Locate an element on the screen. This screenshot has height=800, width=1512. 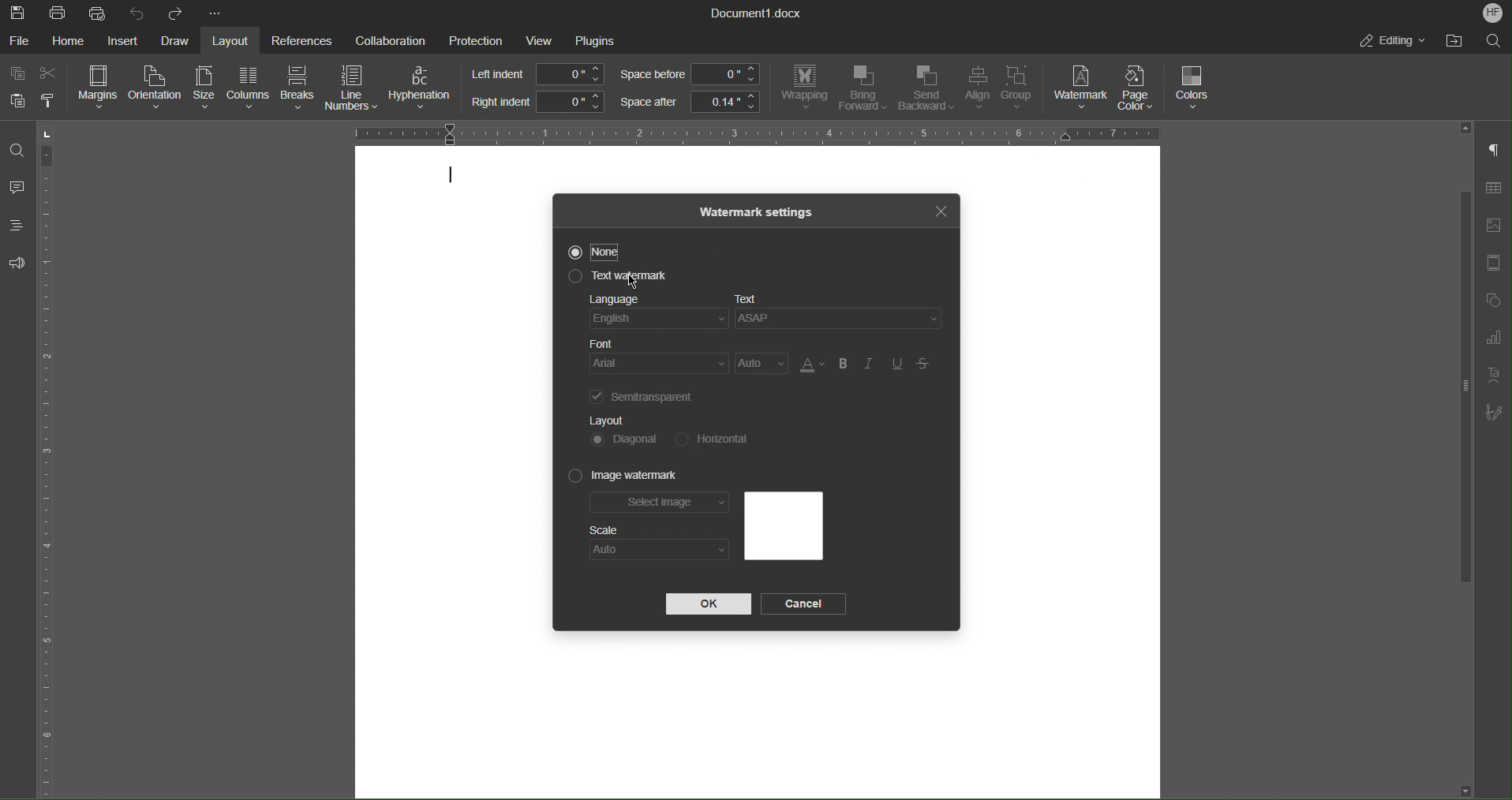
Semitransparent is located at coordinates (645, 396).